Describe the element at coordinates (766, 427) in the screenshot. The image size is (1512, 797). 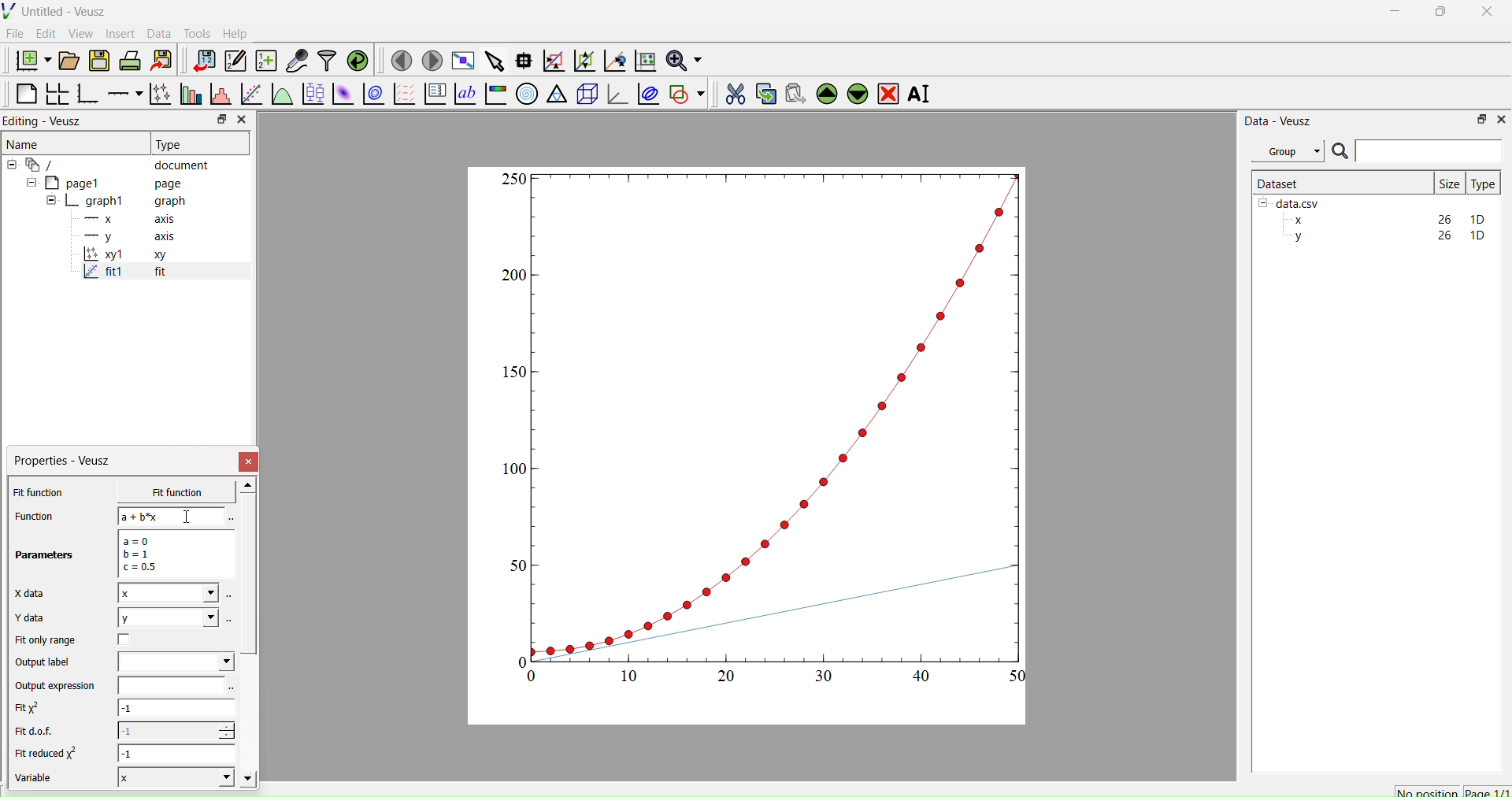
I see `Graph` at that location.